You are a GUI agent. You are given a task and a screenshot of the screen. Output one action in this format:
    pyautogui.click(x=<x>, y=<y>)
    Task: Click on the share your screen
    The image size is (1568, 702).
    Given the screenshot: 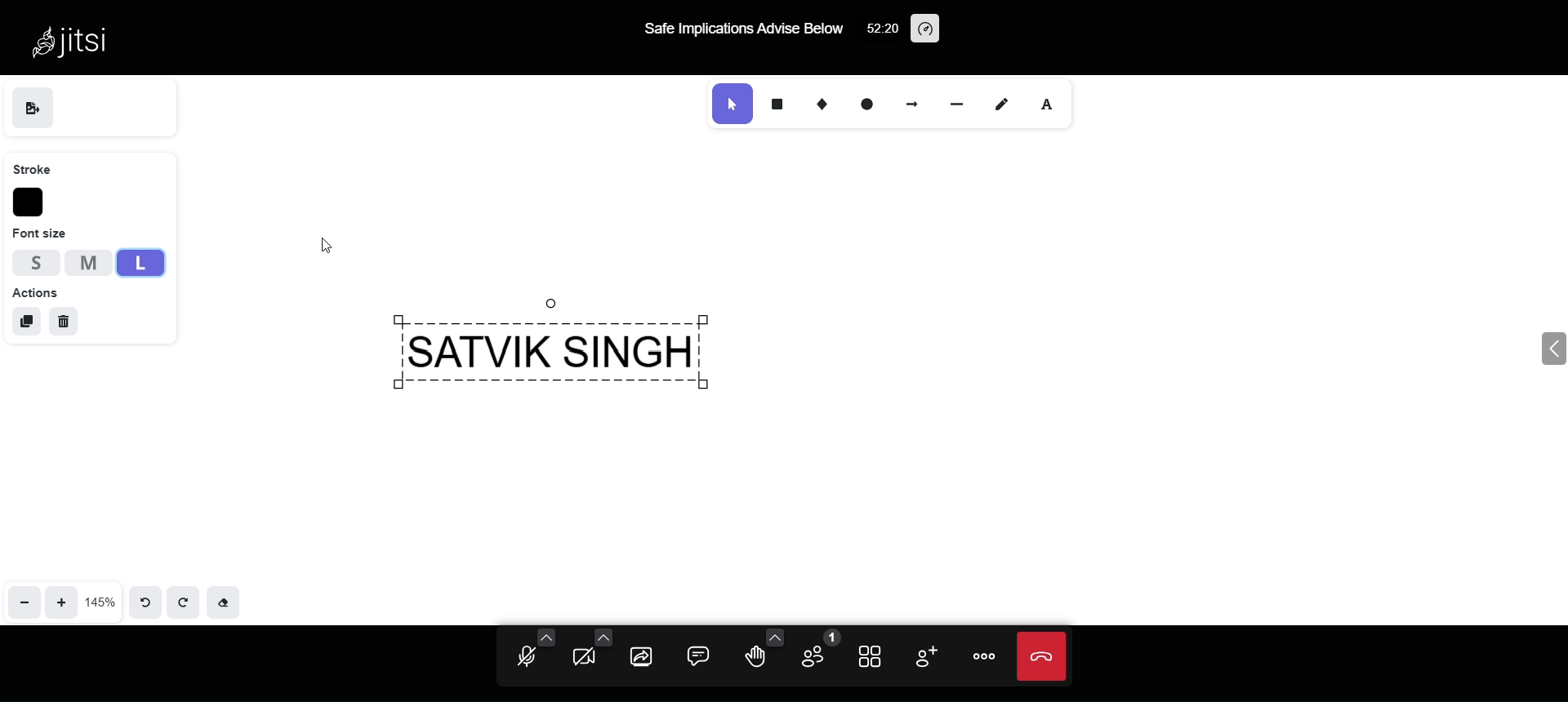 What is the action you would take?
    pyautogui.click(x=640, y=659)
    